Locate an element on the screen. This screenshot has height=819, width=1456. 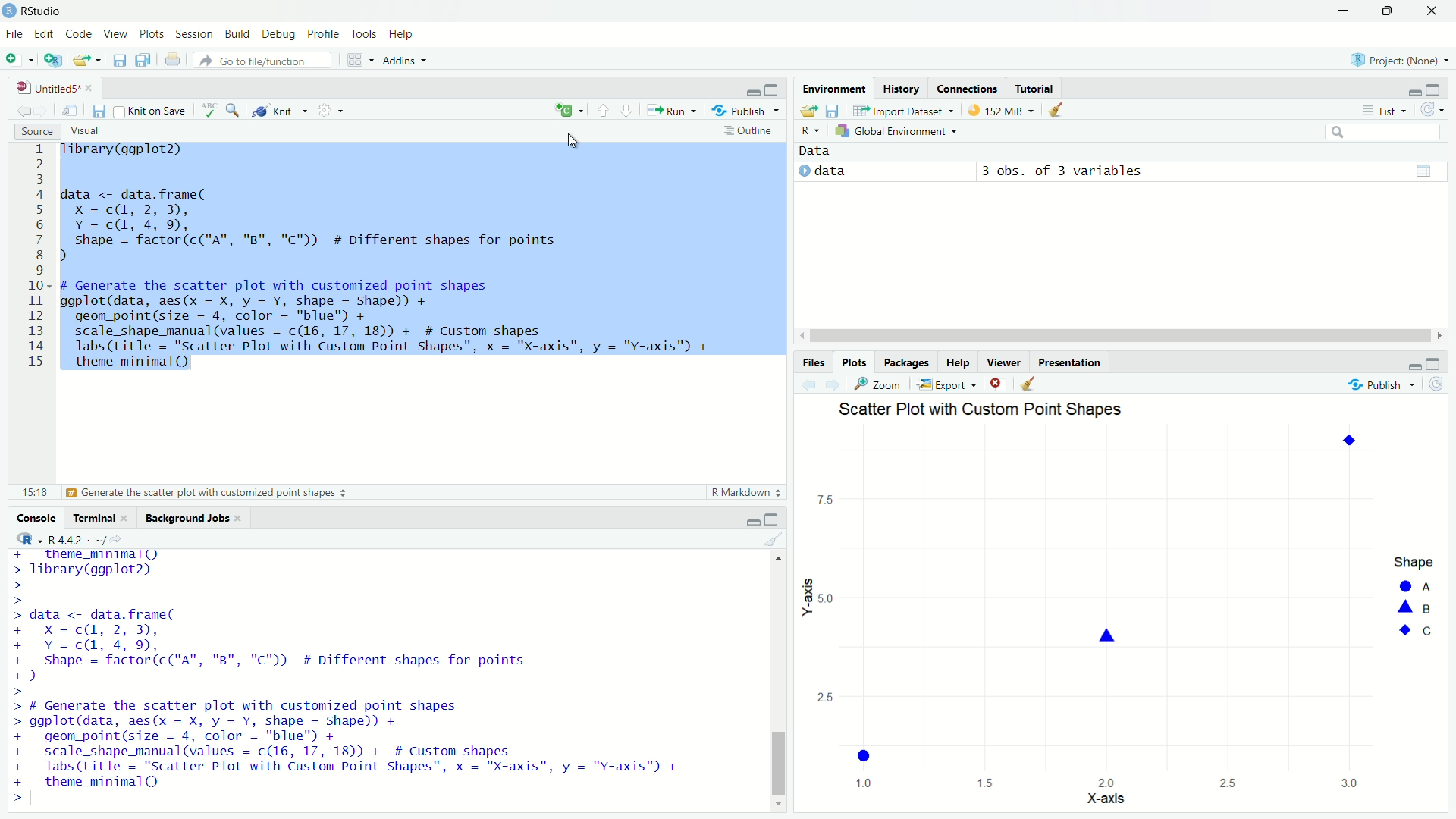
Data is located at coordinates (815, 151).